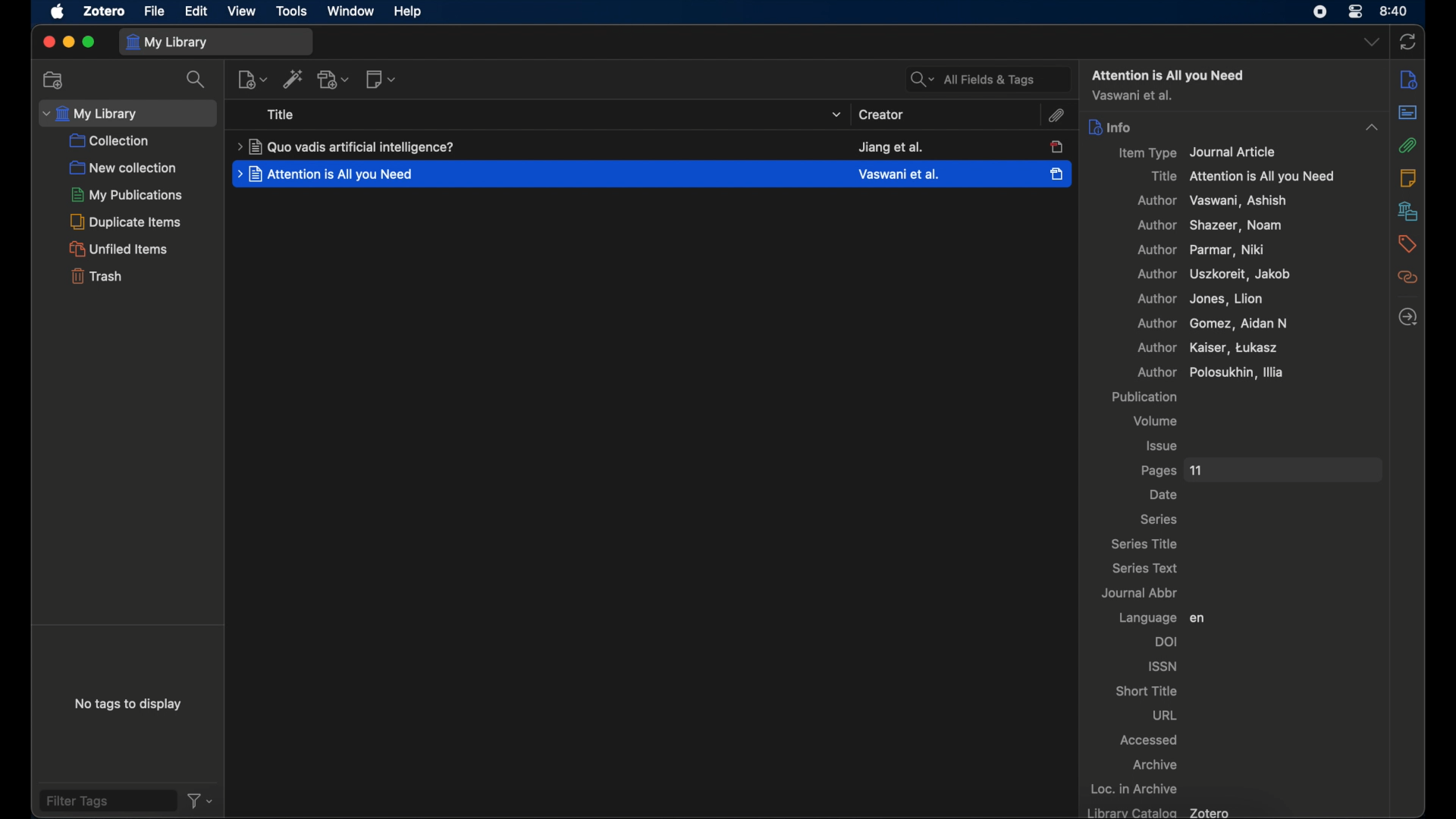 The image size is (1456, 819). I want to click on author shaker, noam, so click(1214, 227).